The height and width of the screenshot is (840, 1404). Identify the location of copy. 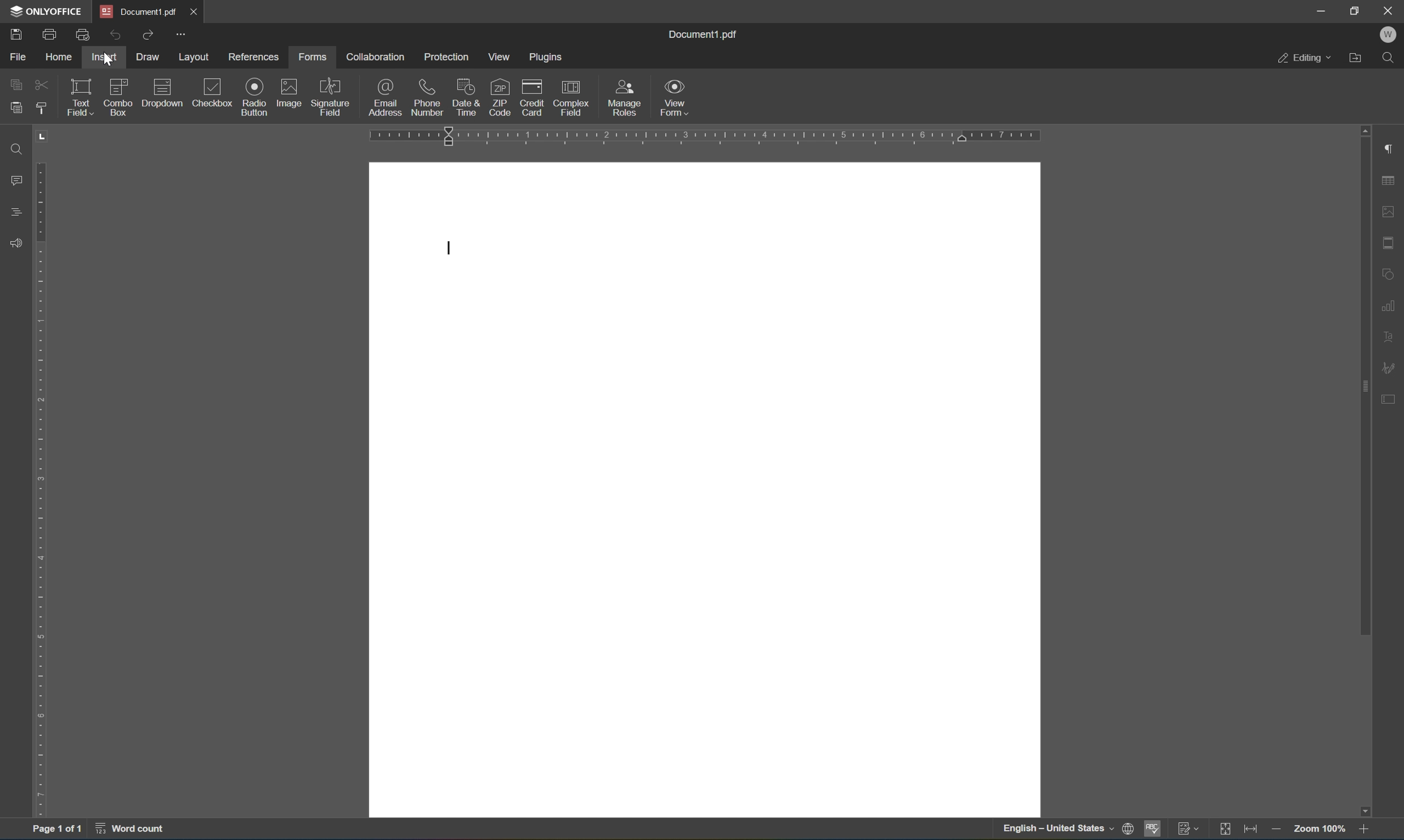
(16, 84).